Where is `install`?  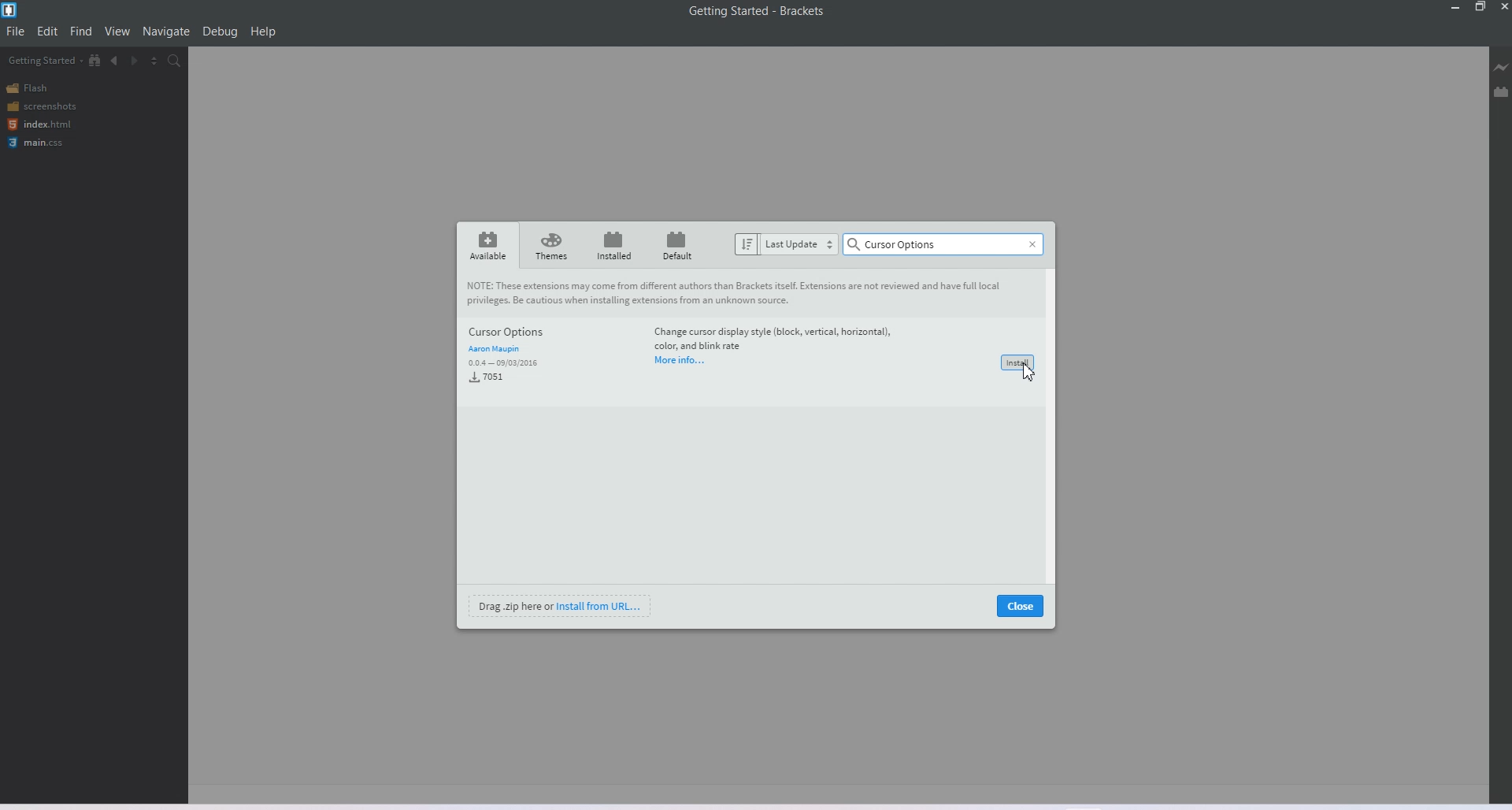 install is located at coordinates (1016, 362).